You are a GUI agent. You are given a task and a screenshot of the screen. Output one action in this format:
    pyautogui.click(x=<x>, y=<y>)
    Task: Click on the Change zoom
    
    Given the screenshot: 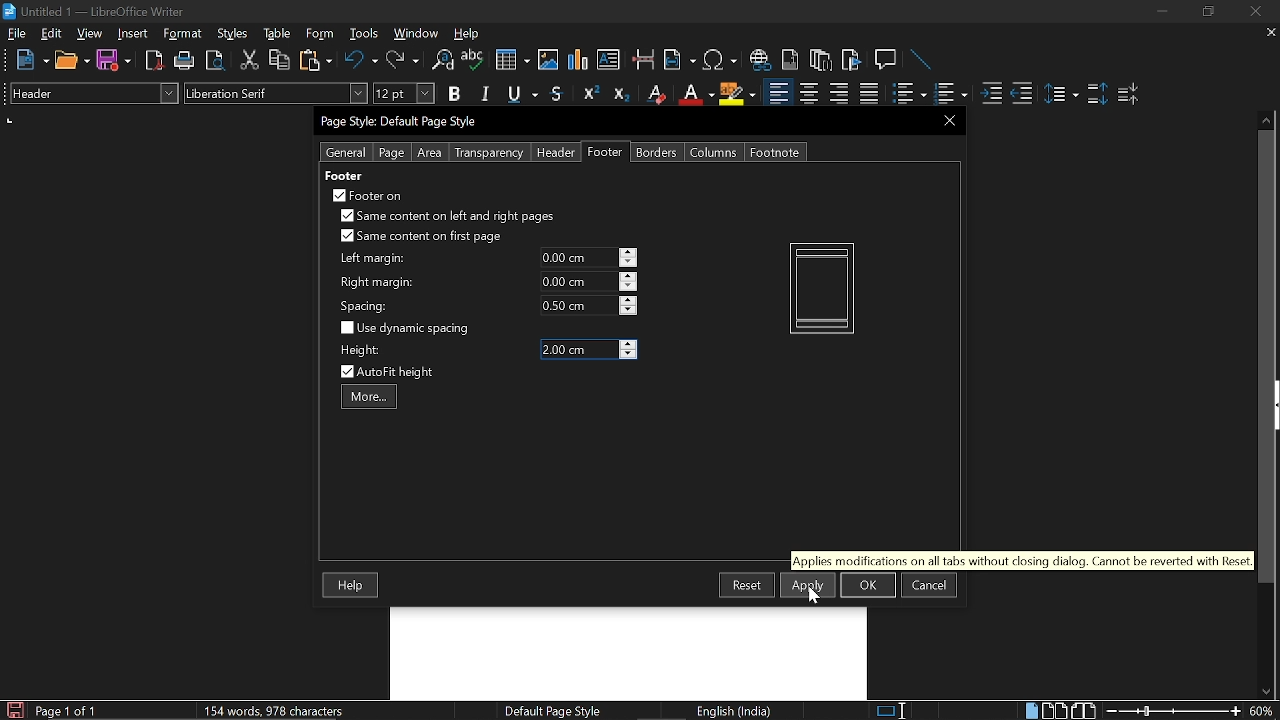 What is the action you would take?
    pyautogui.click(x=1174, y=711)
    